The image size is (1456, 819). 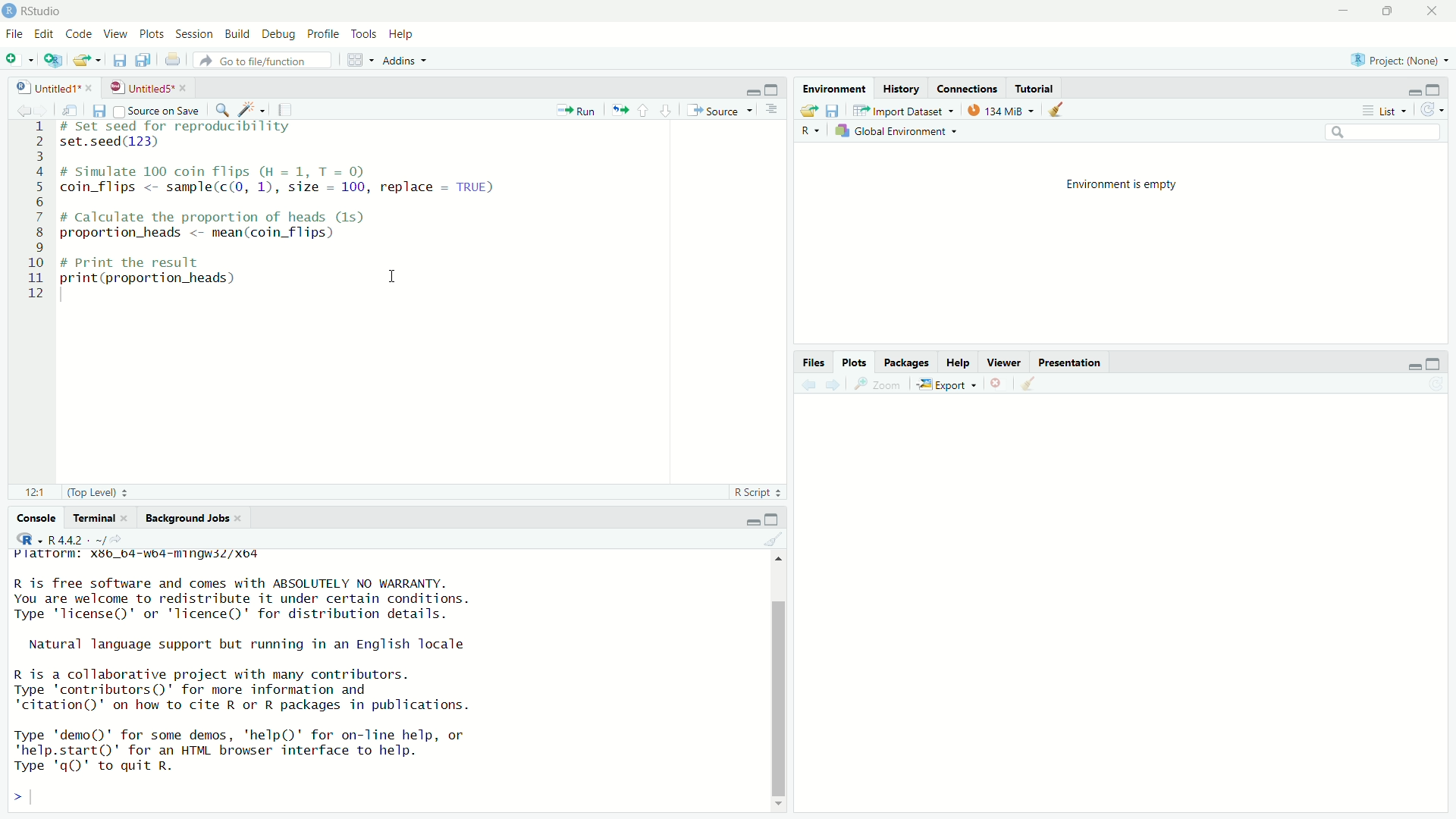 I want to click on file, so click(x=14, y=36).